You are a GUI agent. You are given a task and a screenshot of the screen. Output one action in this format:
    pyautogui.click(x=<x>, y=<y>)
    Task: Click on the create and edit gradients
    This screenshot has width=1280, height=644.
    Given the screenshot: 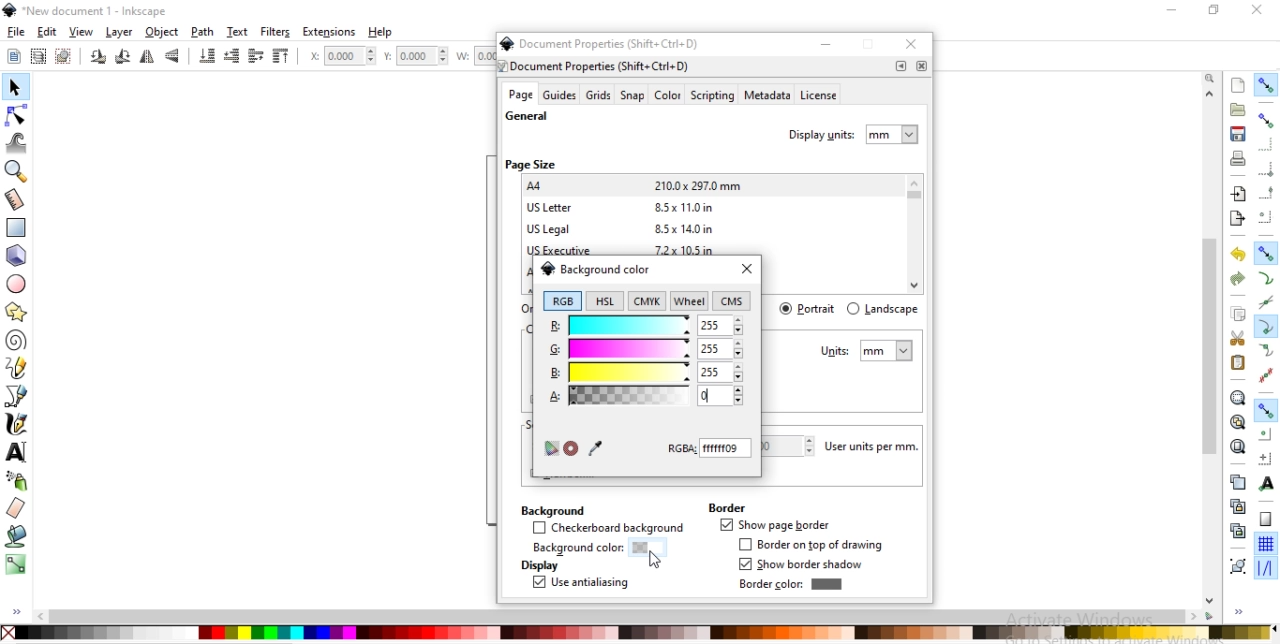 What is the action you would take?
    pyautogui.click(x=16, y=564)
    